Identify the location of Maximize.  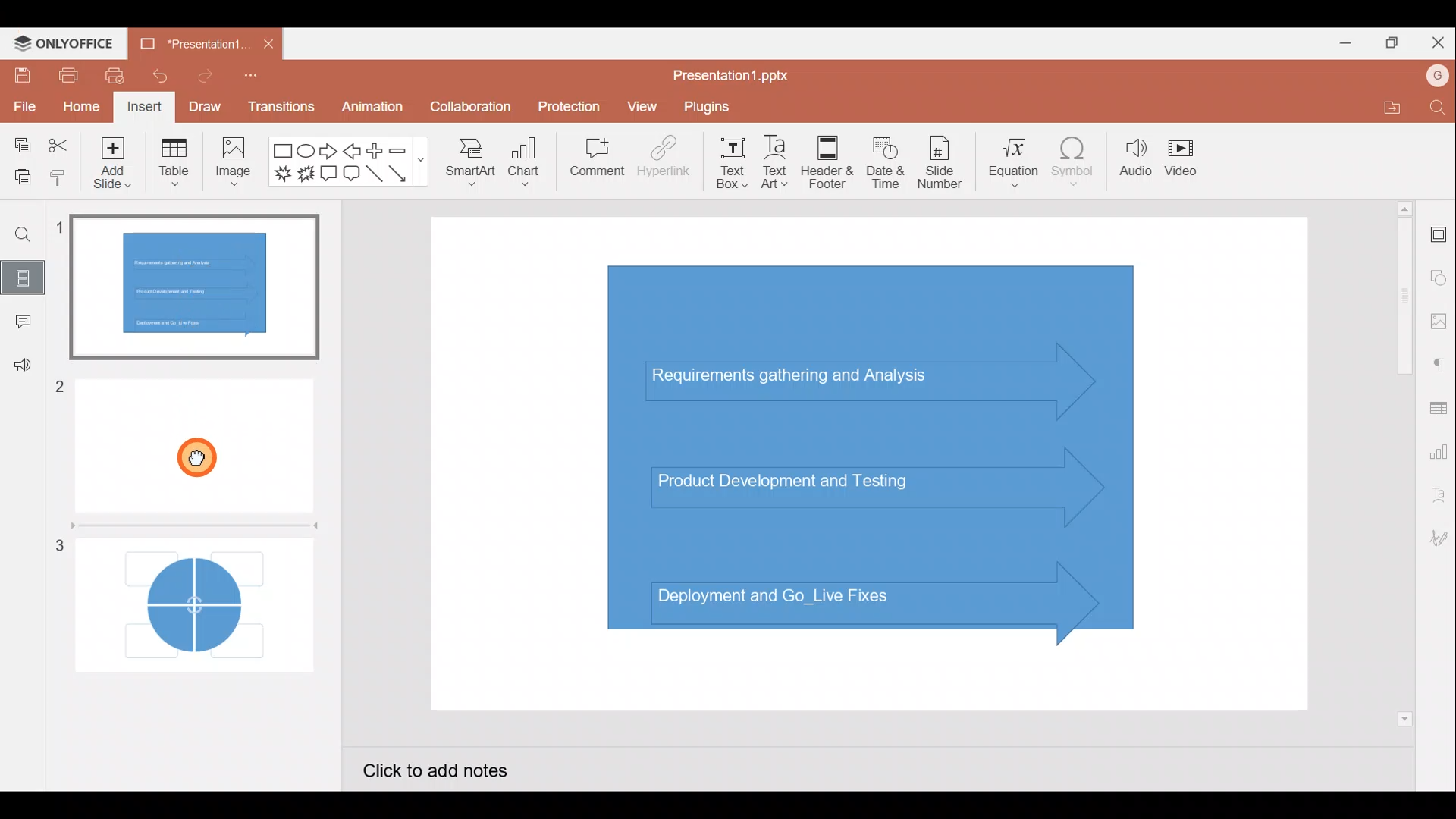
(1395, 41).